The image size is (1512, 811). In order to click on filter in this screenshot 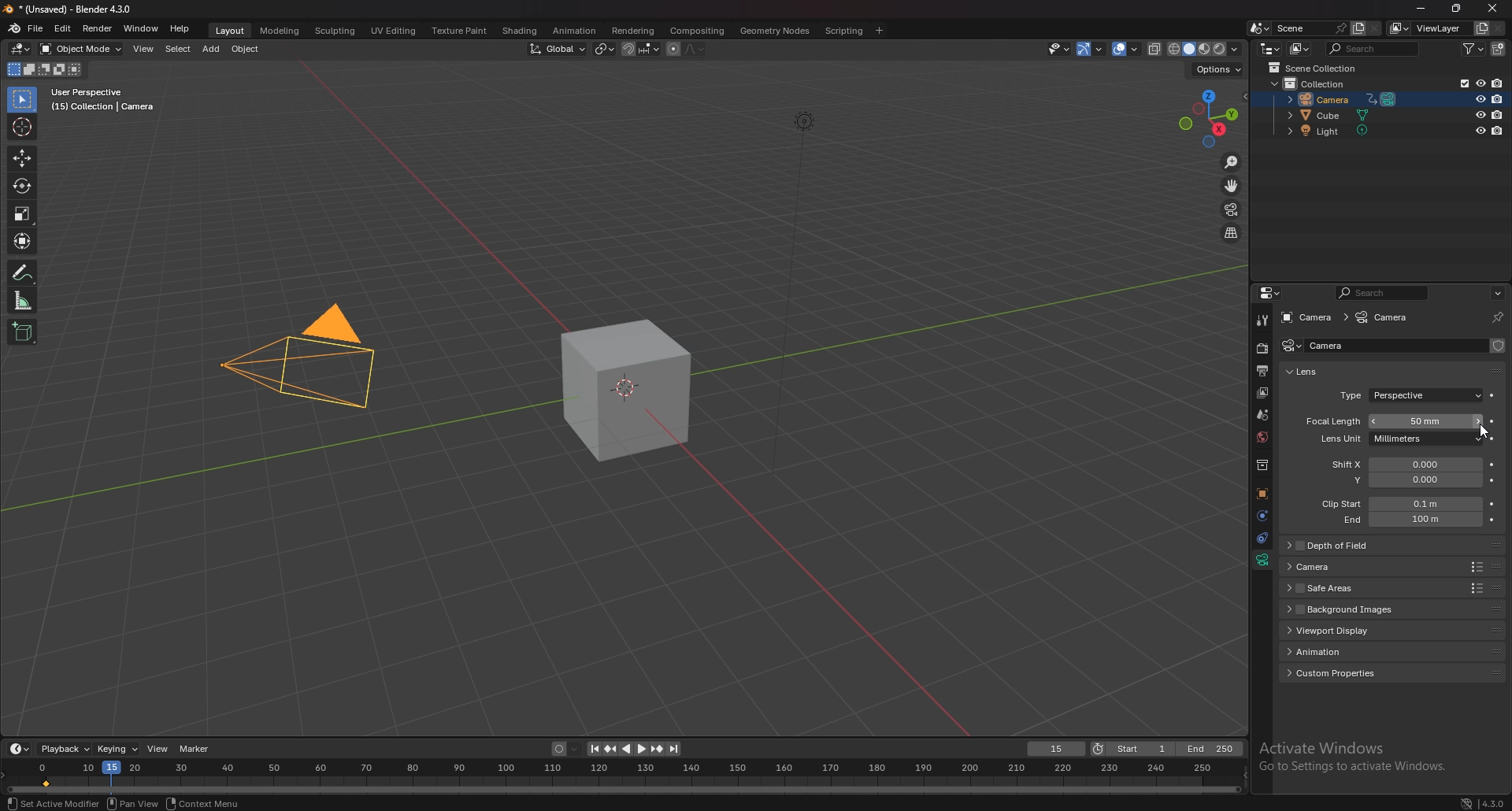, I will do `click(1474, 50)`.